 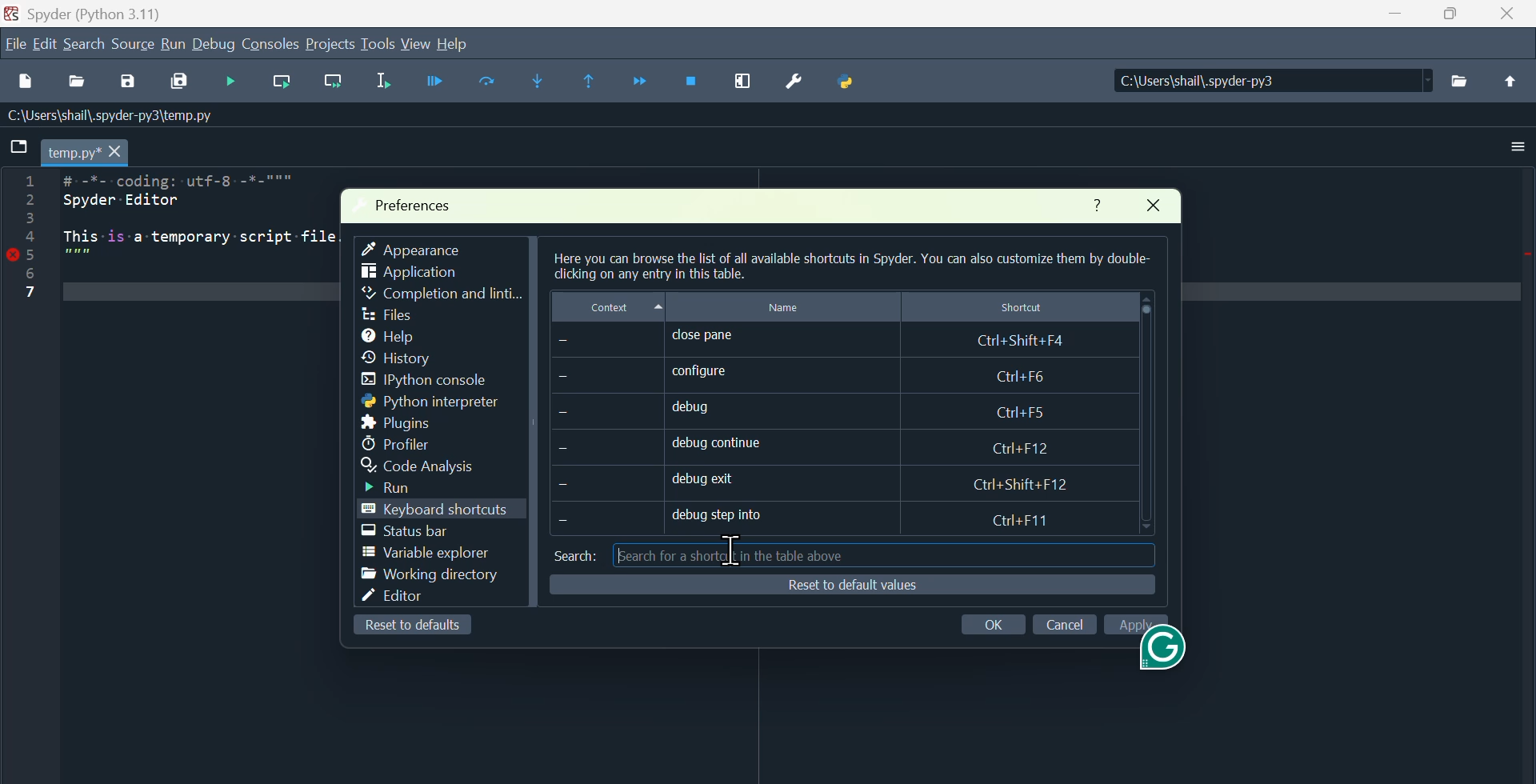 What do you see at coordinates (99, 13) in the screenshot?
I see `Spyder` at bounding box center [99, 13].